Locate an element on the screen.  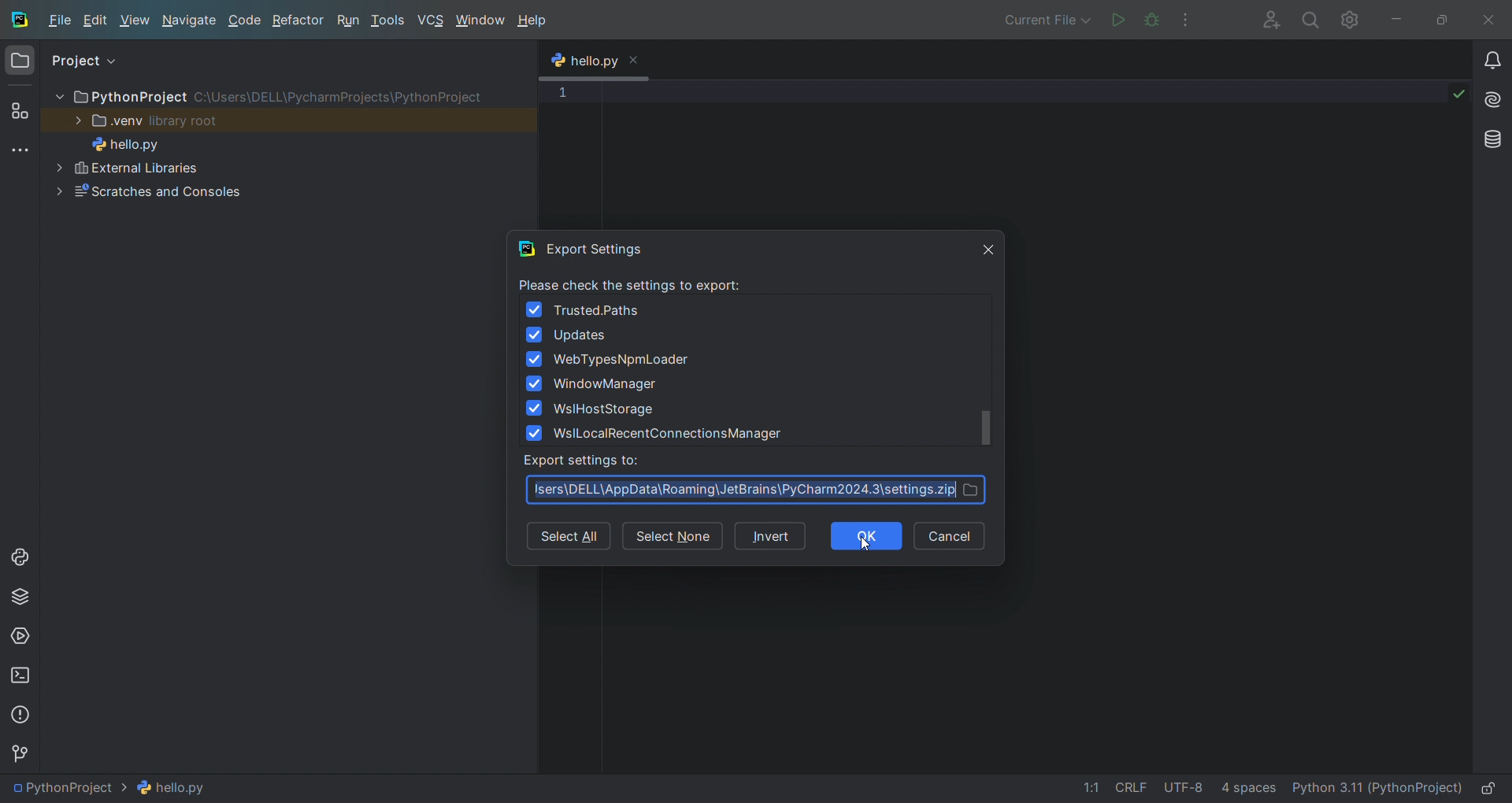
saved is located at coordinates (1458, 92).